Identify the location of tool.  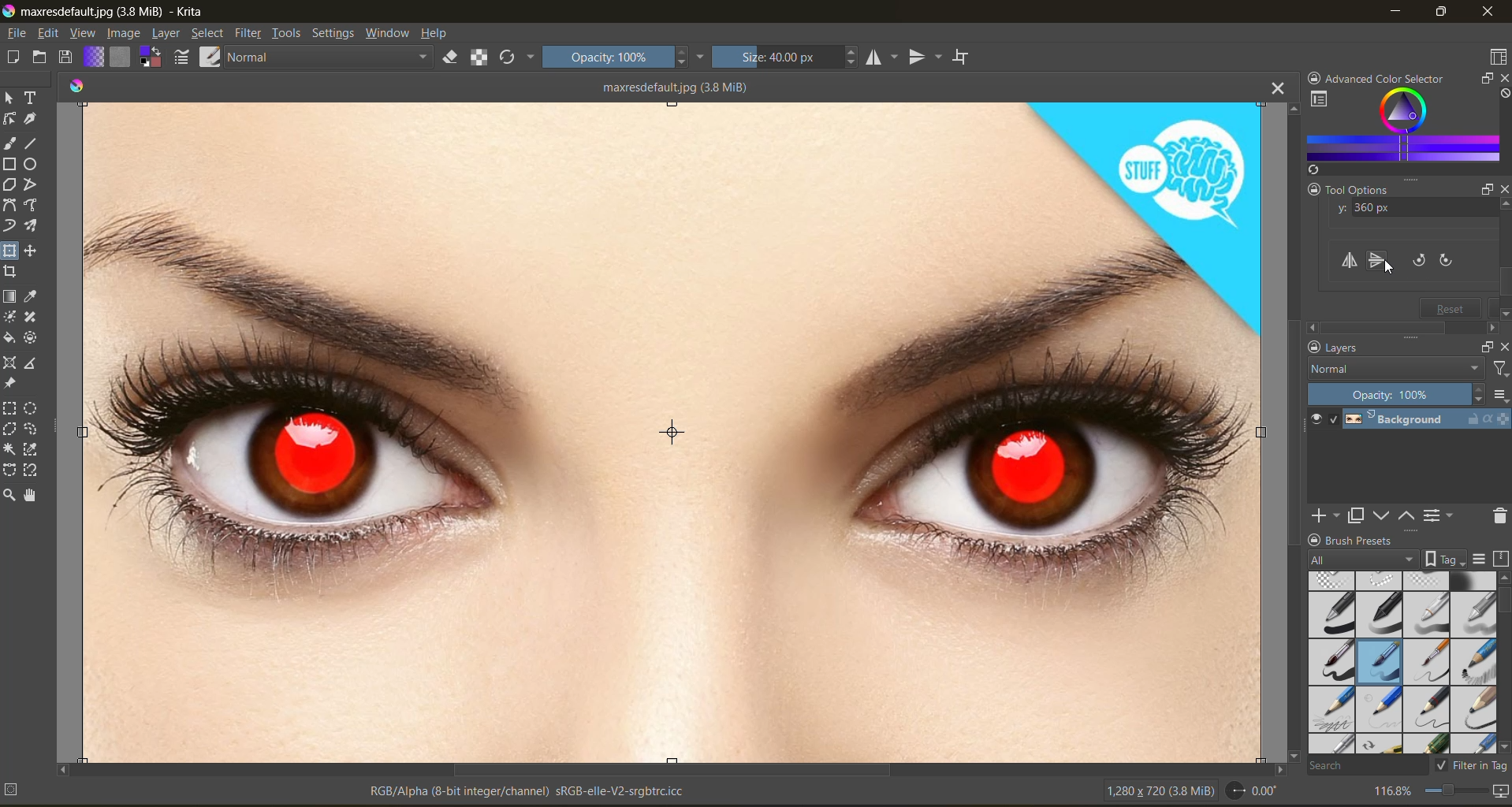
(35, 493).